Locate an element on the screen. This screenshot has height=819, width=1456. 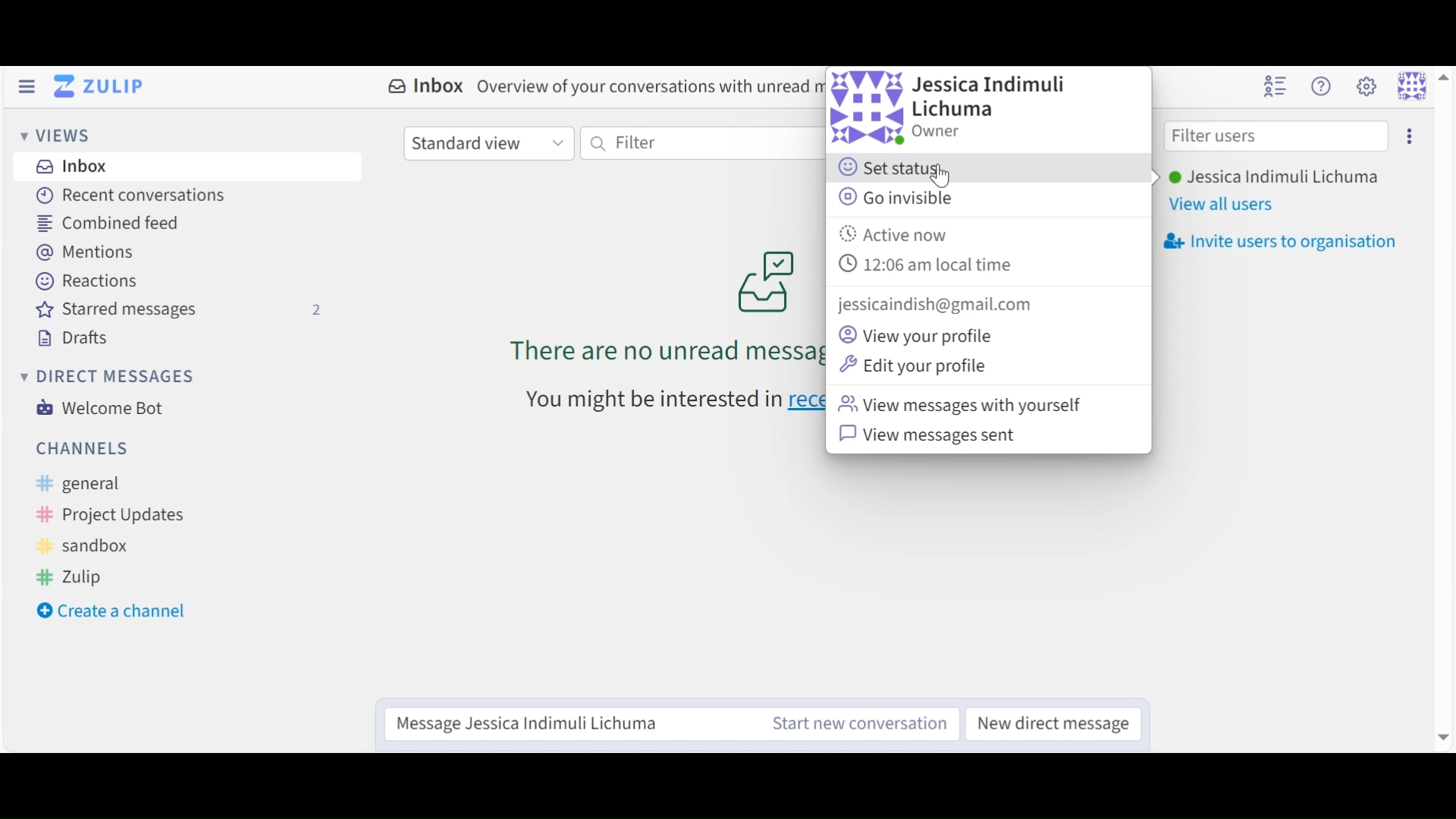
Views is located at coordinates (60, 137).